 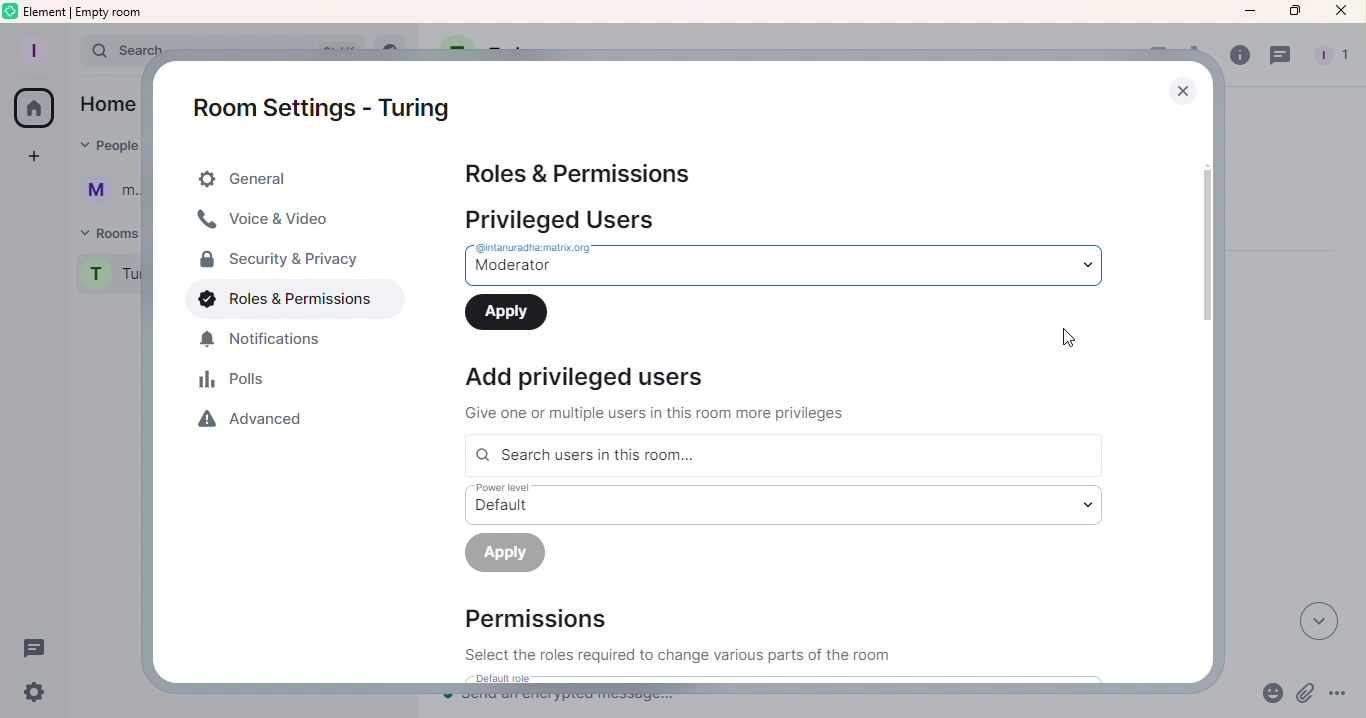 I want to click on Close, so click(x=1337, y=11).